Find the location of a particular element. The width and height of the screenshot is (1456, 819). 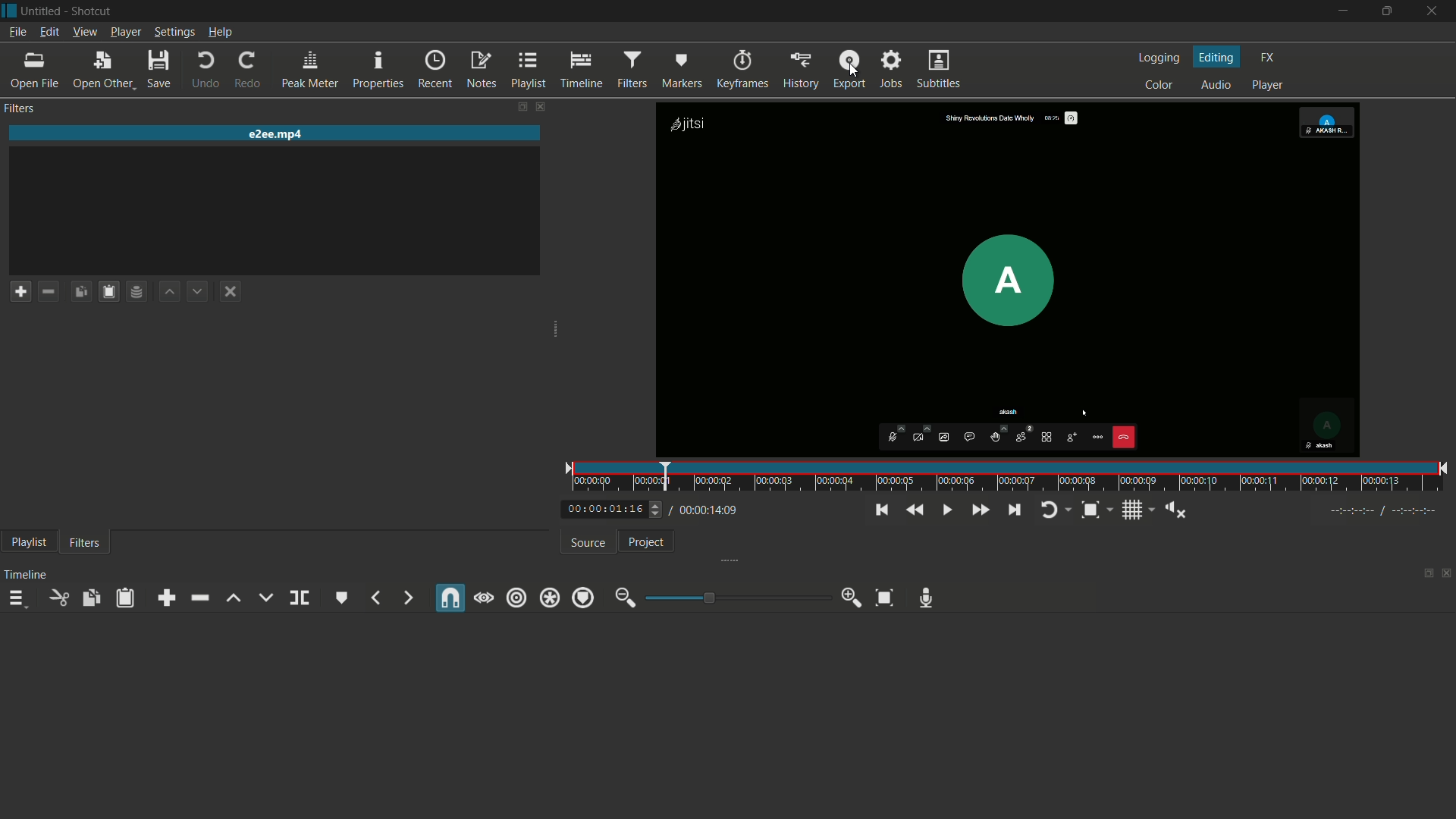

split at playhead is located at coordinates (299, 598).